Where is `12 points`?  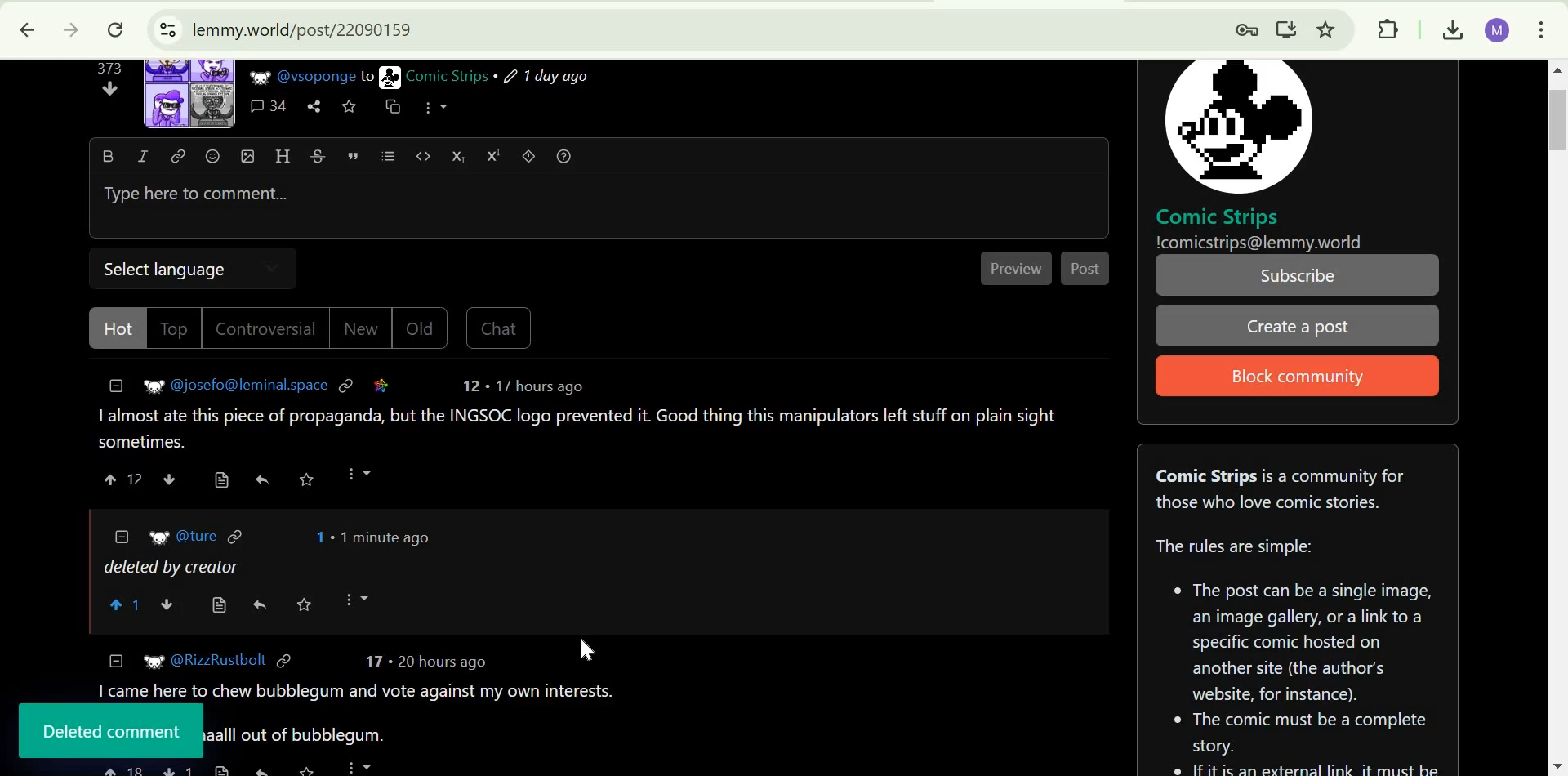 12 points is located at coordinates (470, 386).